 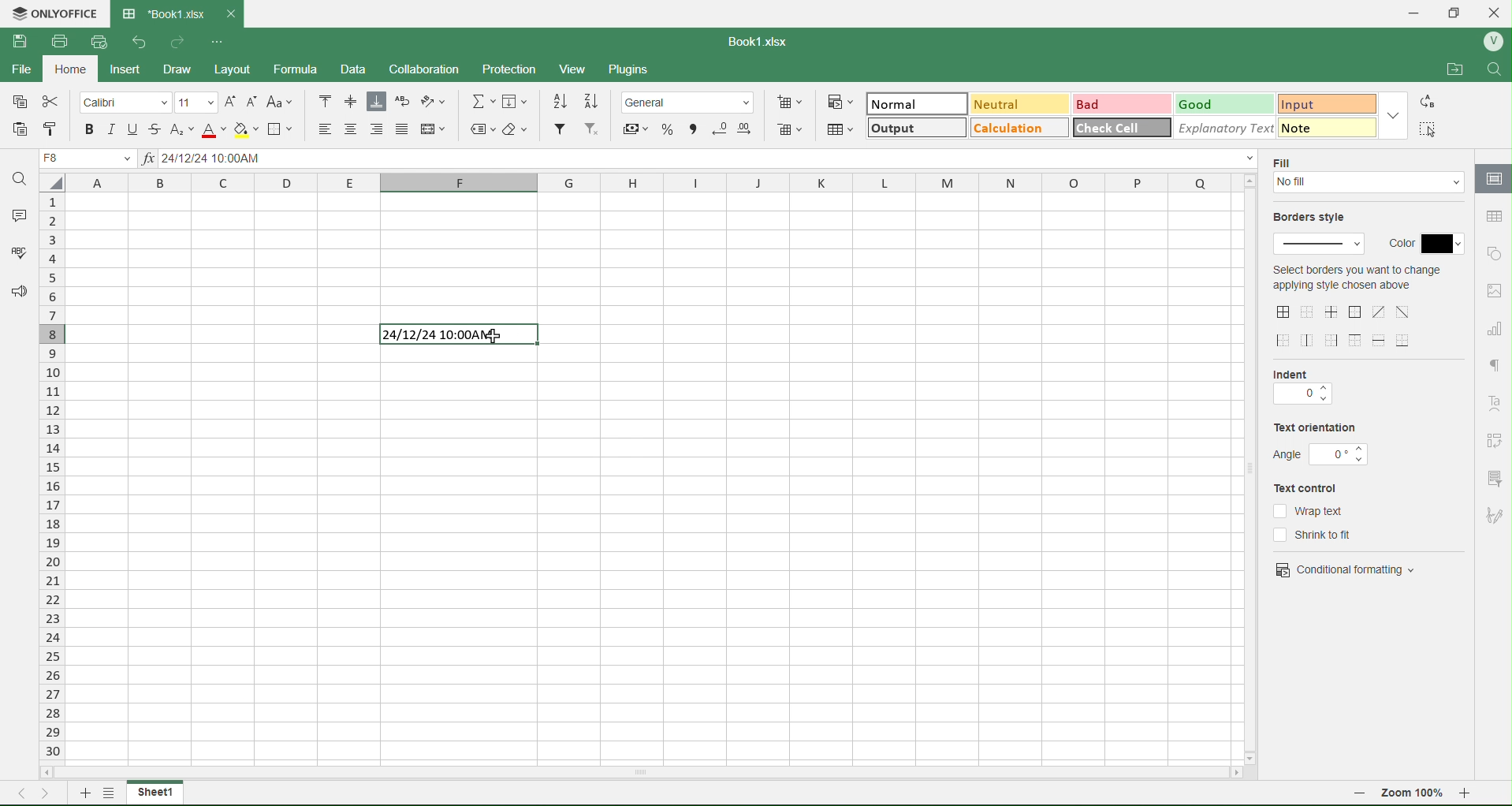 What do you see at coordinates (91, 160) in the screenshot?
I see `Fill Option` at bounding box center [91, 160].